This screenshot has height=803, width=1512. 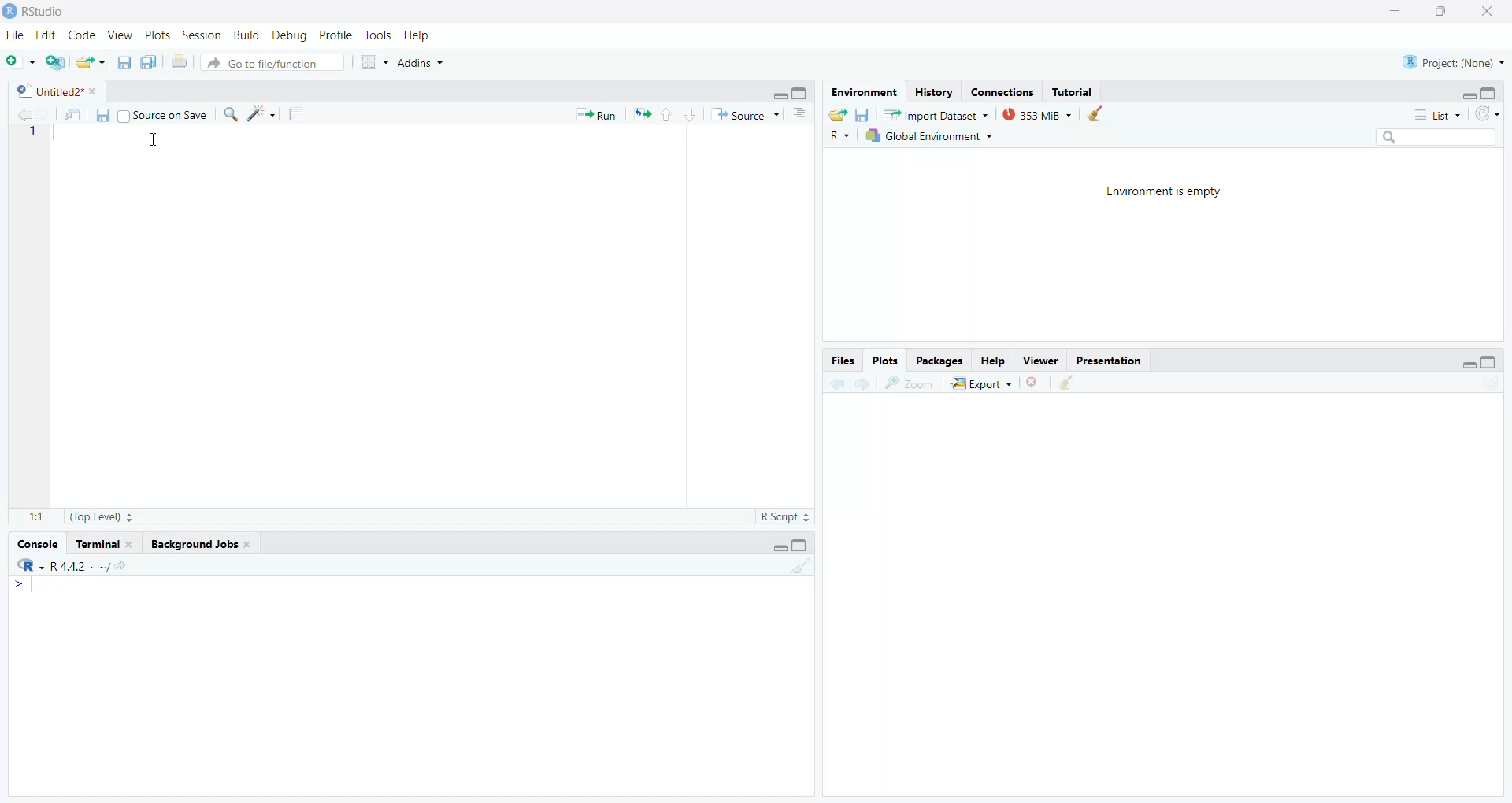 What do you see at coordinates (376, 36) in the screenshot?
I see ` Tools` at bounding box center [376, 36].